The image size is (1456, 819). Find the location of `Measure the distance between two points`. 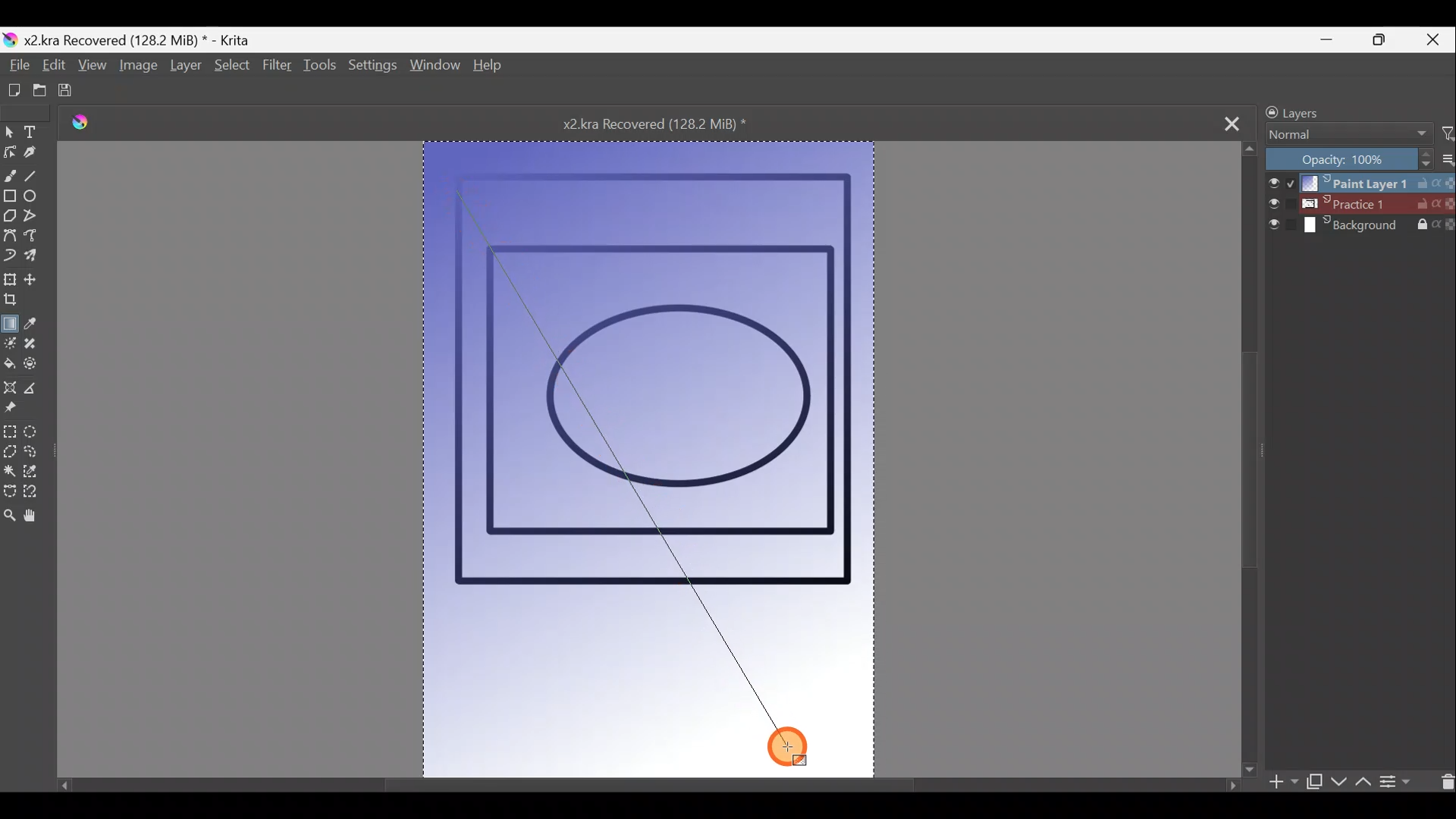

Measure the distance between two points is located at coordinates (37, 393).